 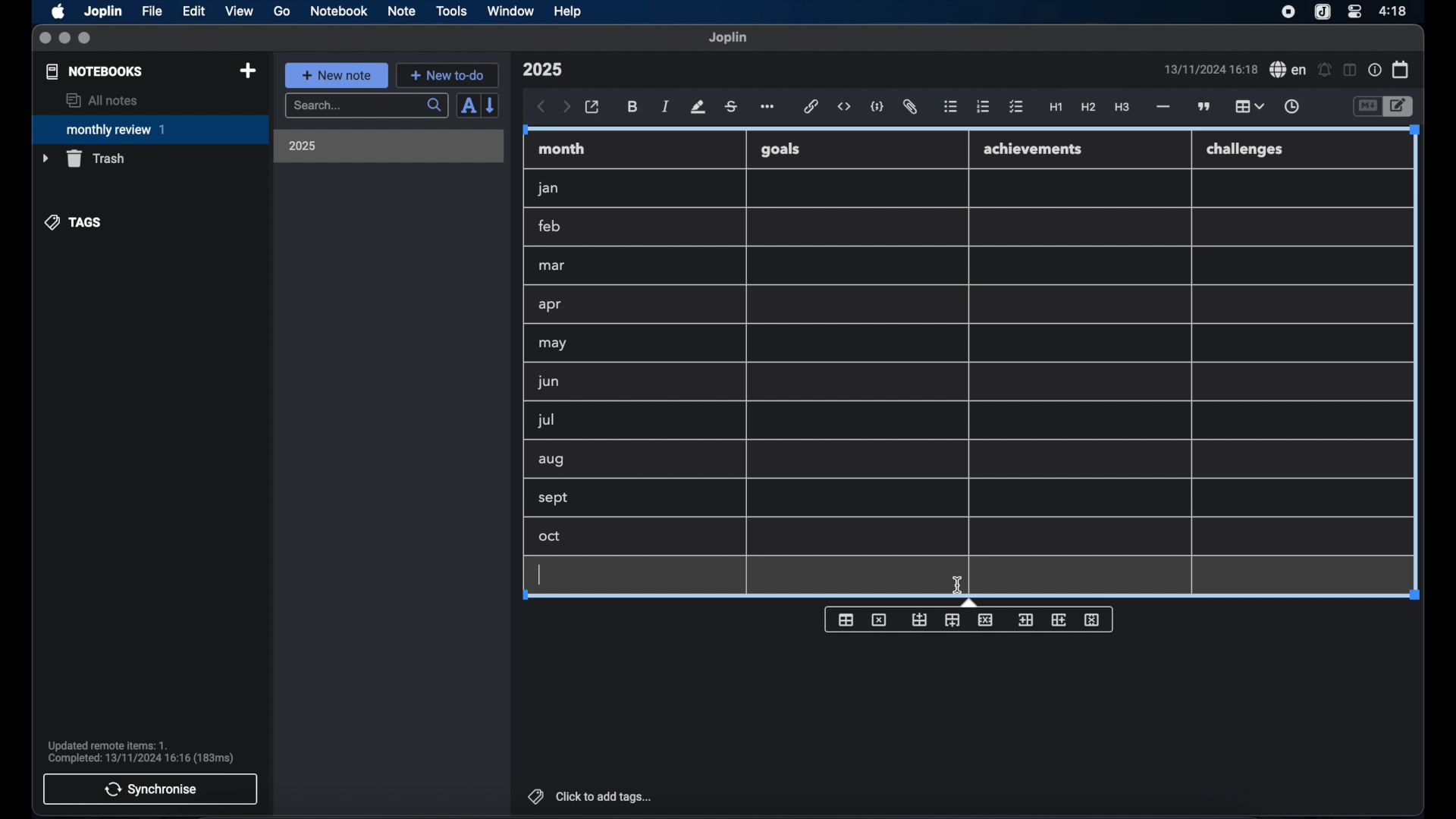 I want to click on numbered list, so click(x=983, y=106).